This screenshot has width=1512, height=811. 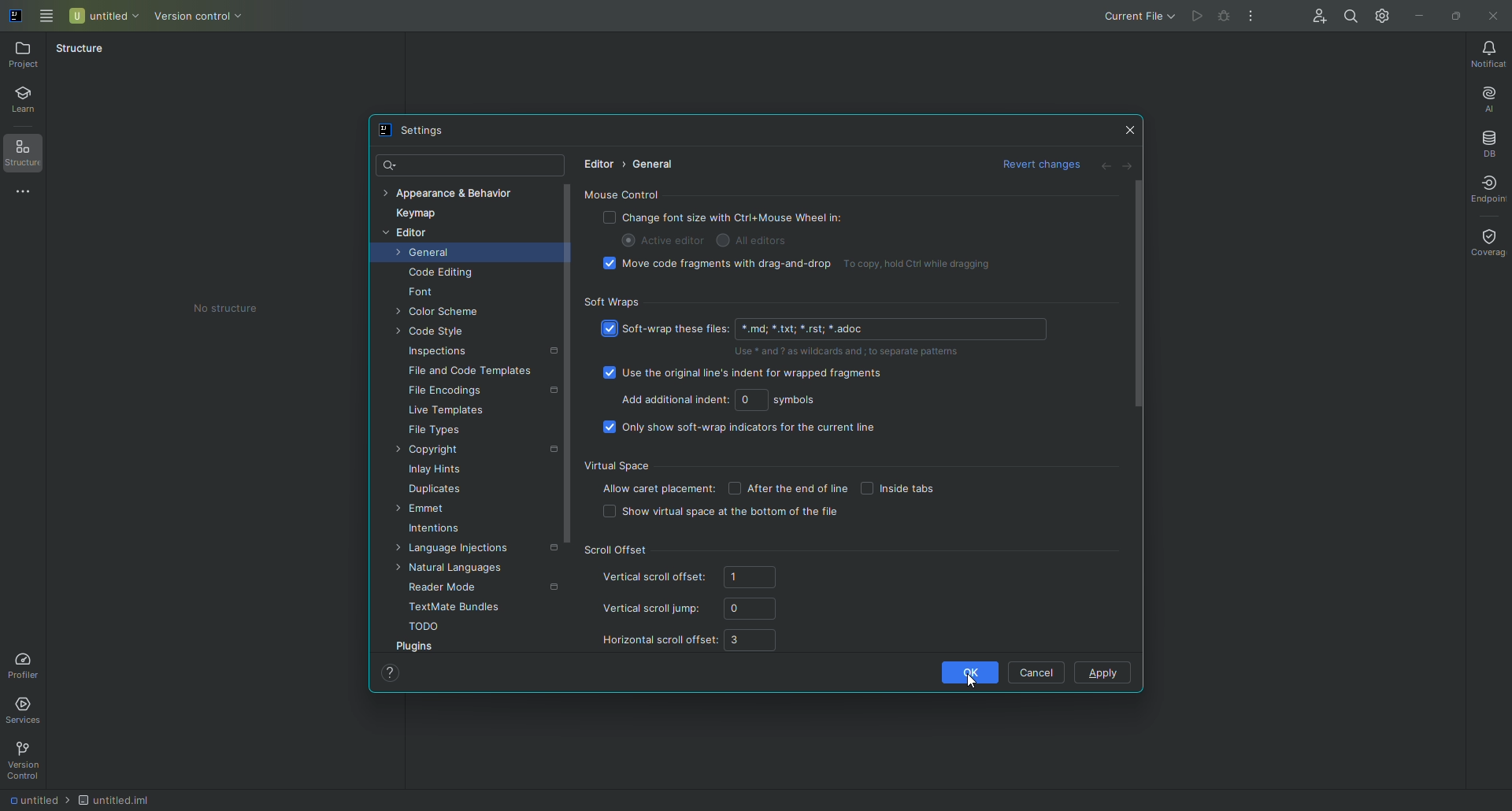 I want to click on Code Editing, so click(x=443, y=273).